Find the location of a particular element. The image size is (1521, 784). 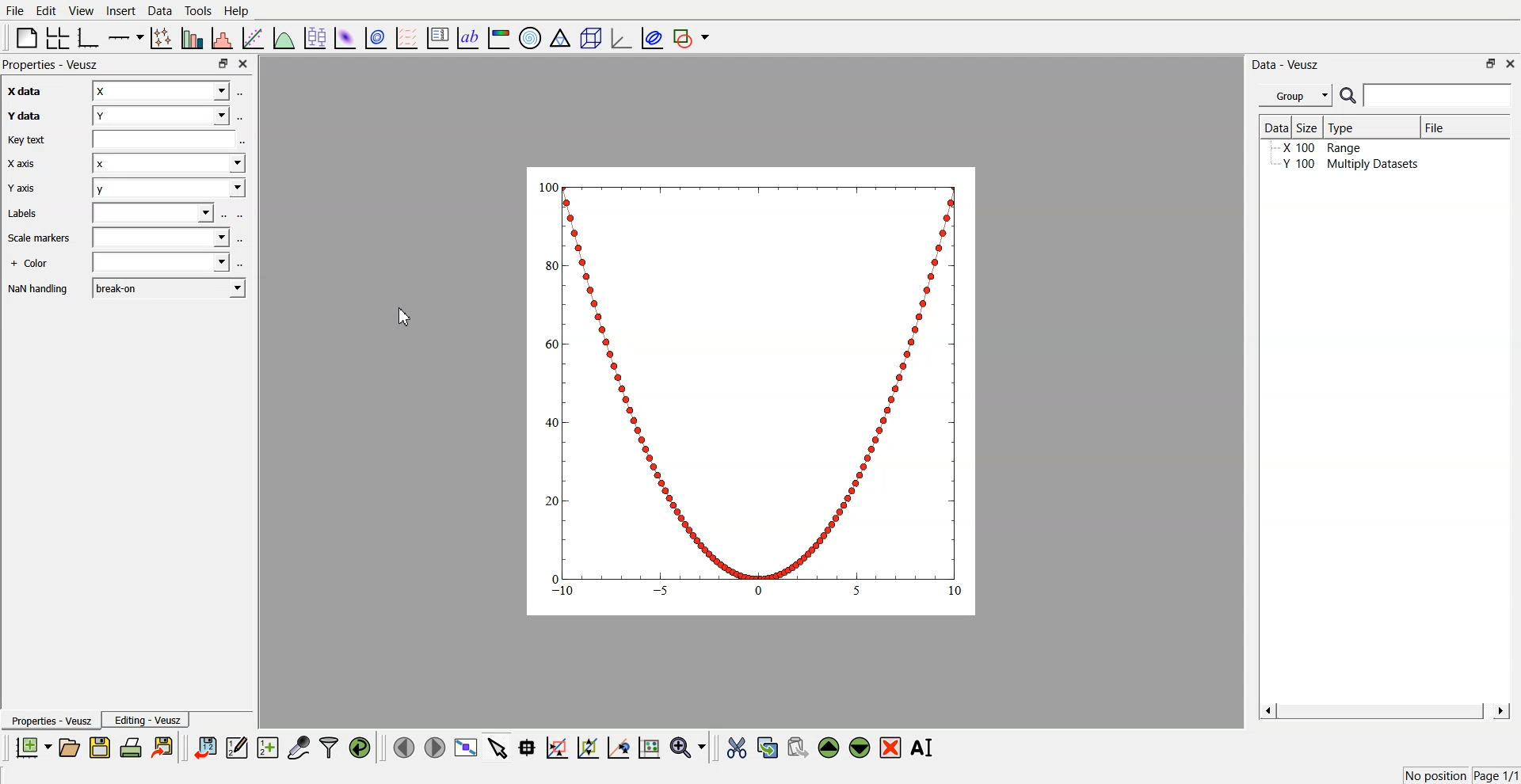

draw a rectangle on zoom graph axes is located at coordinates (556, 746).